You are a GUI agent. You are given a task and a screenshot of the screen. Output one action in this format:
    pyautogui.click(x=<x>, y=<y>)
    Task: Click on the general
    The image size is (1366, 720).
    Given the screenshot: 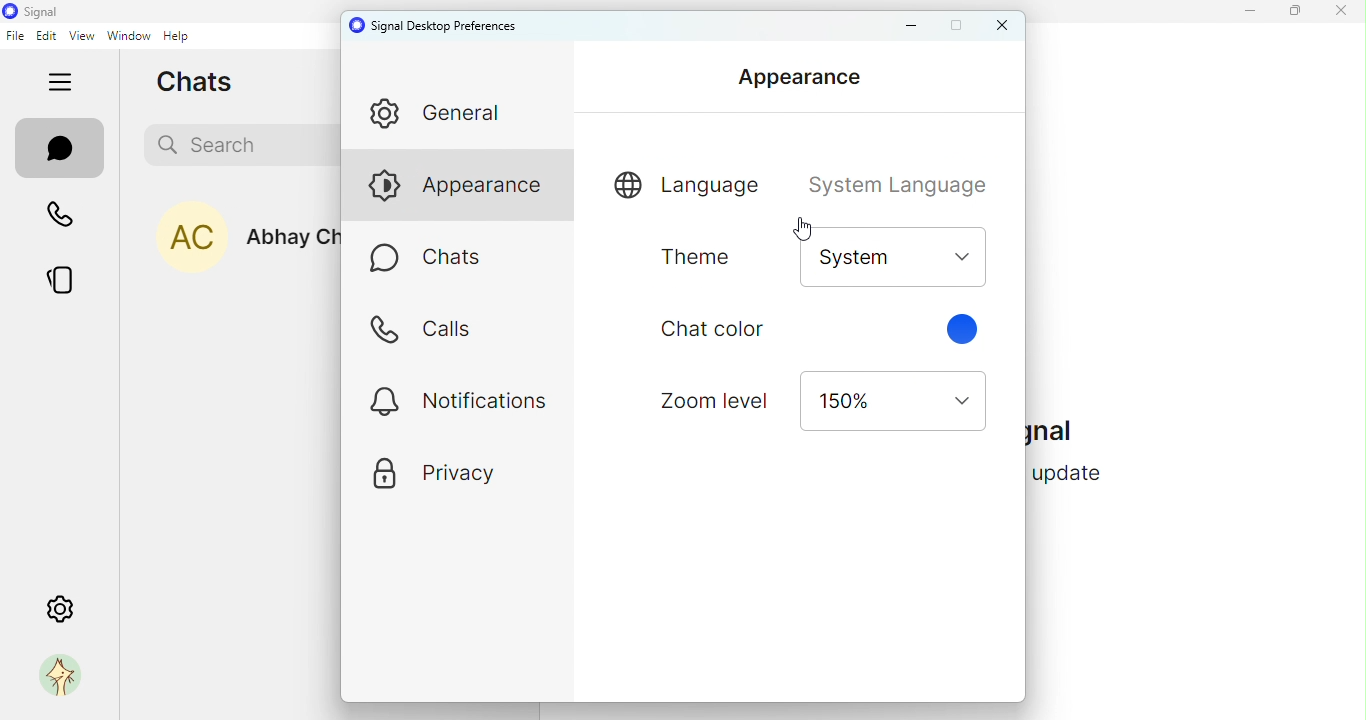 What is the action you would take?
    pyautogui.click(x=453, y=114)
    